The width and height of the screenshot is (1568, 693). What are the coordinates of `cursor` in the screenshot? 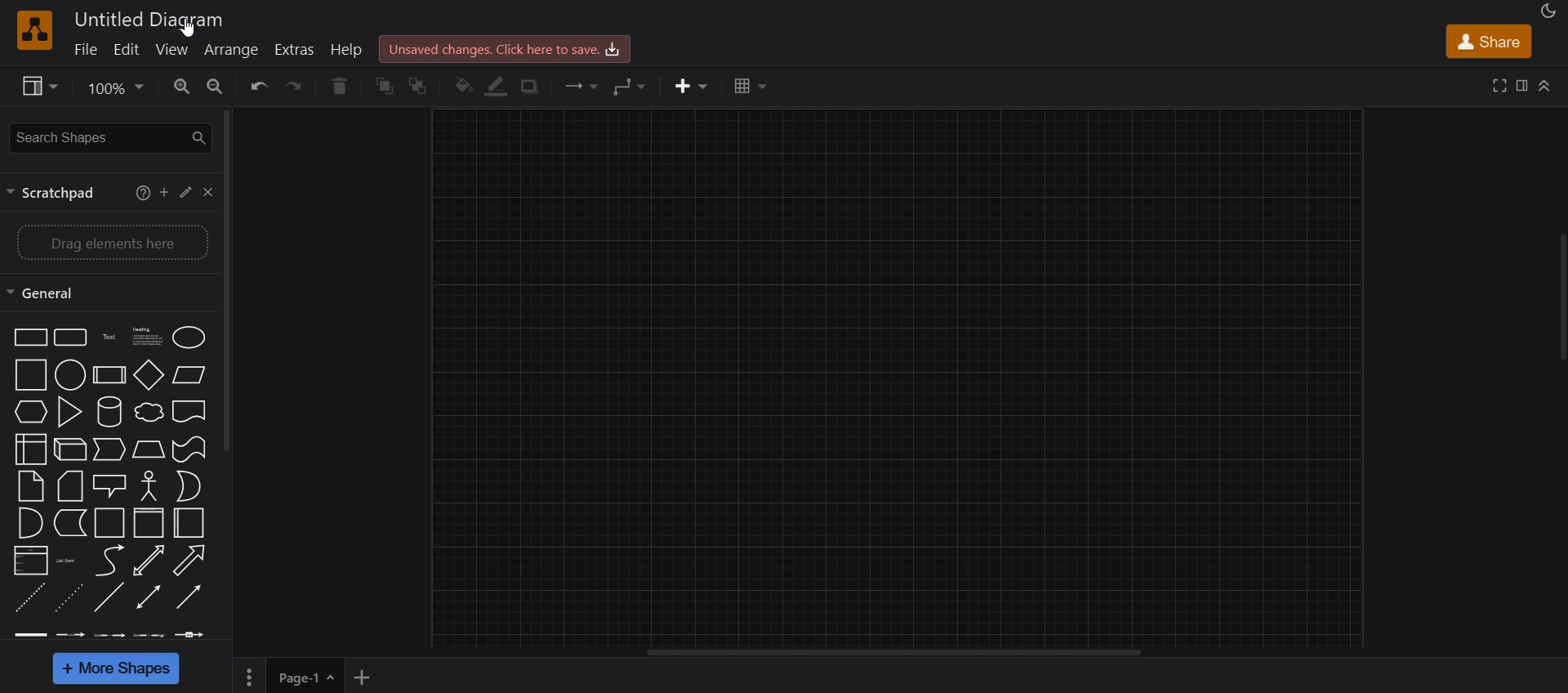 It's located at (186, 30).